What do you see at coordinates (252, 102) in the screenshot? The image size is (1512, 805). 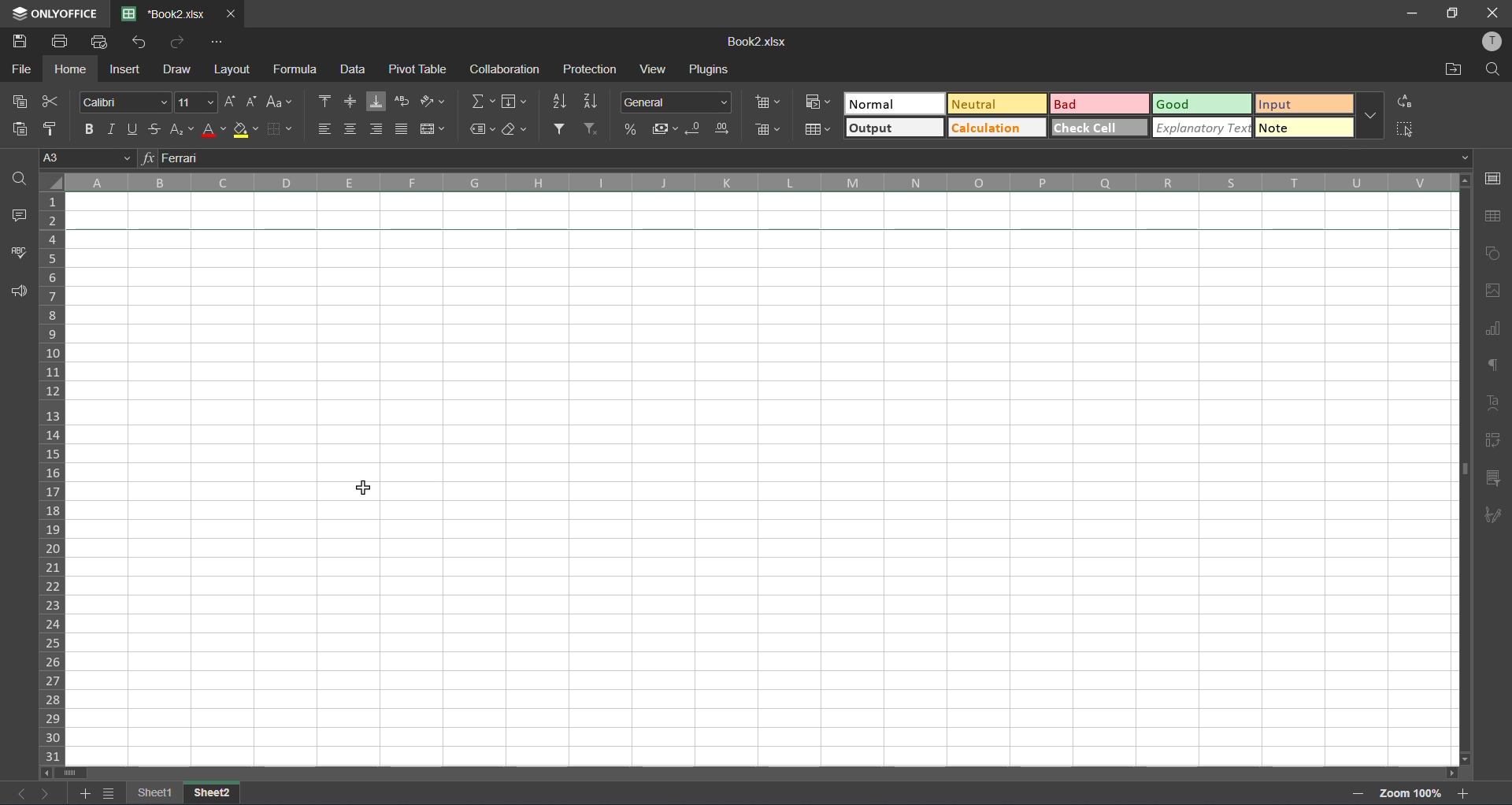 I see `decrement size` at bounding box center [252, 102].